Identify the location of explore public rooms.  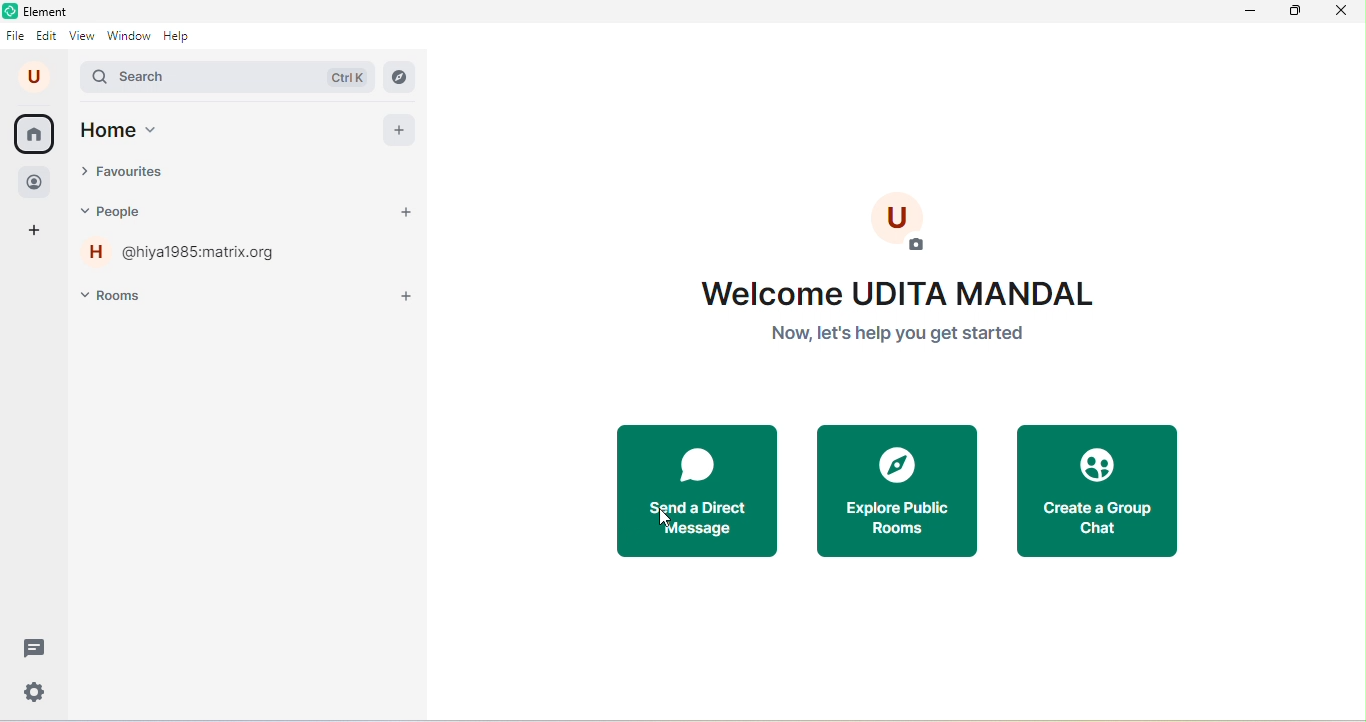
(901, 491).